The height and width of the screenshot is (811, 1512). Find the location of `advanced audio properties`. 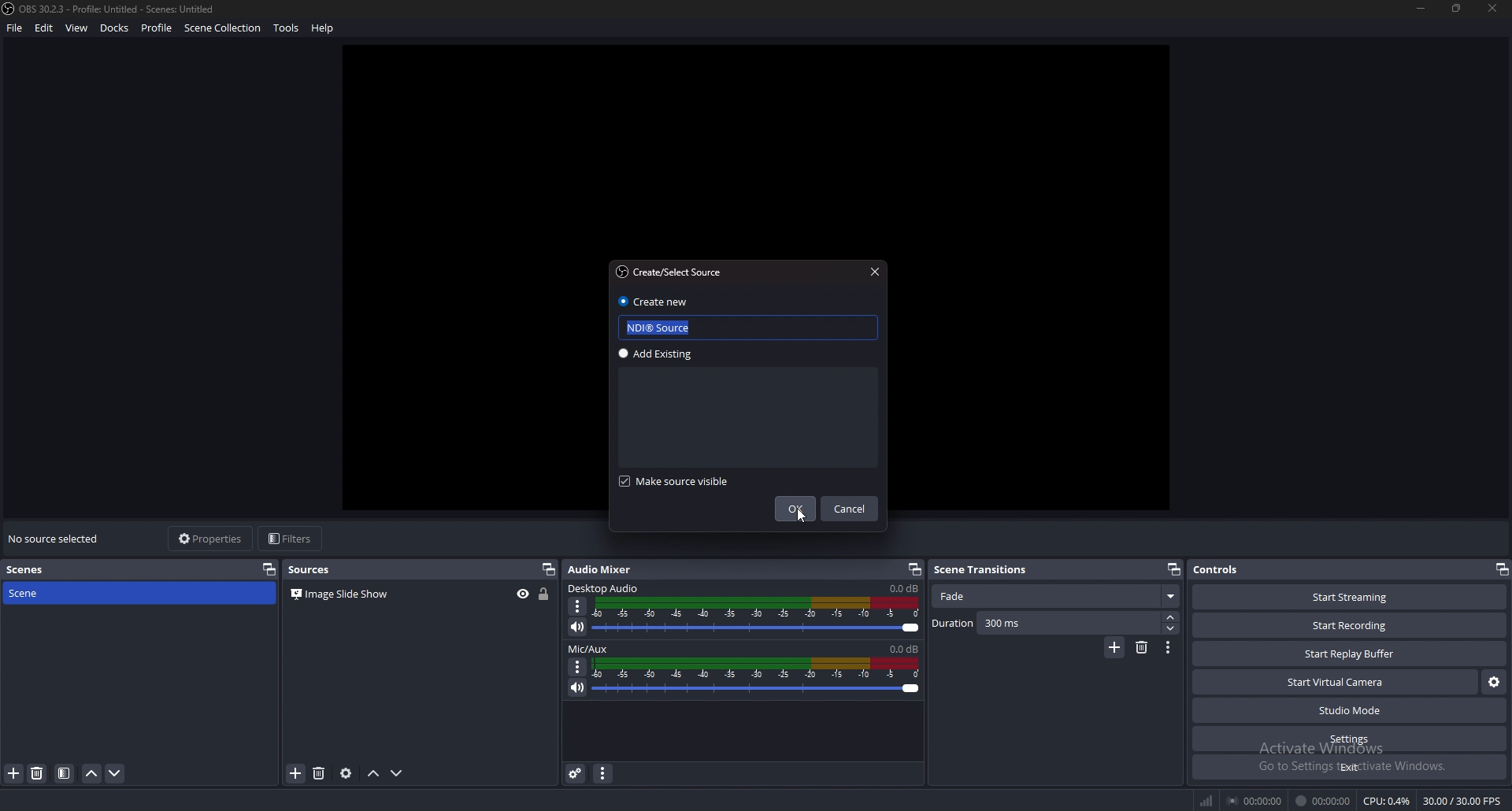

advanced audio properties is located at coordinates (576, 773).